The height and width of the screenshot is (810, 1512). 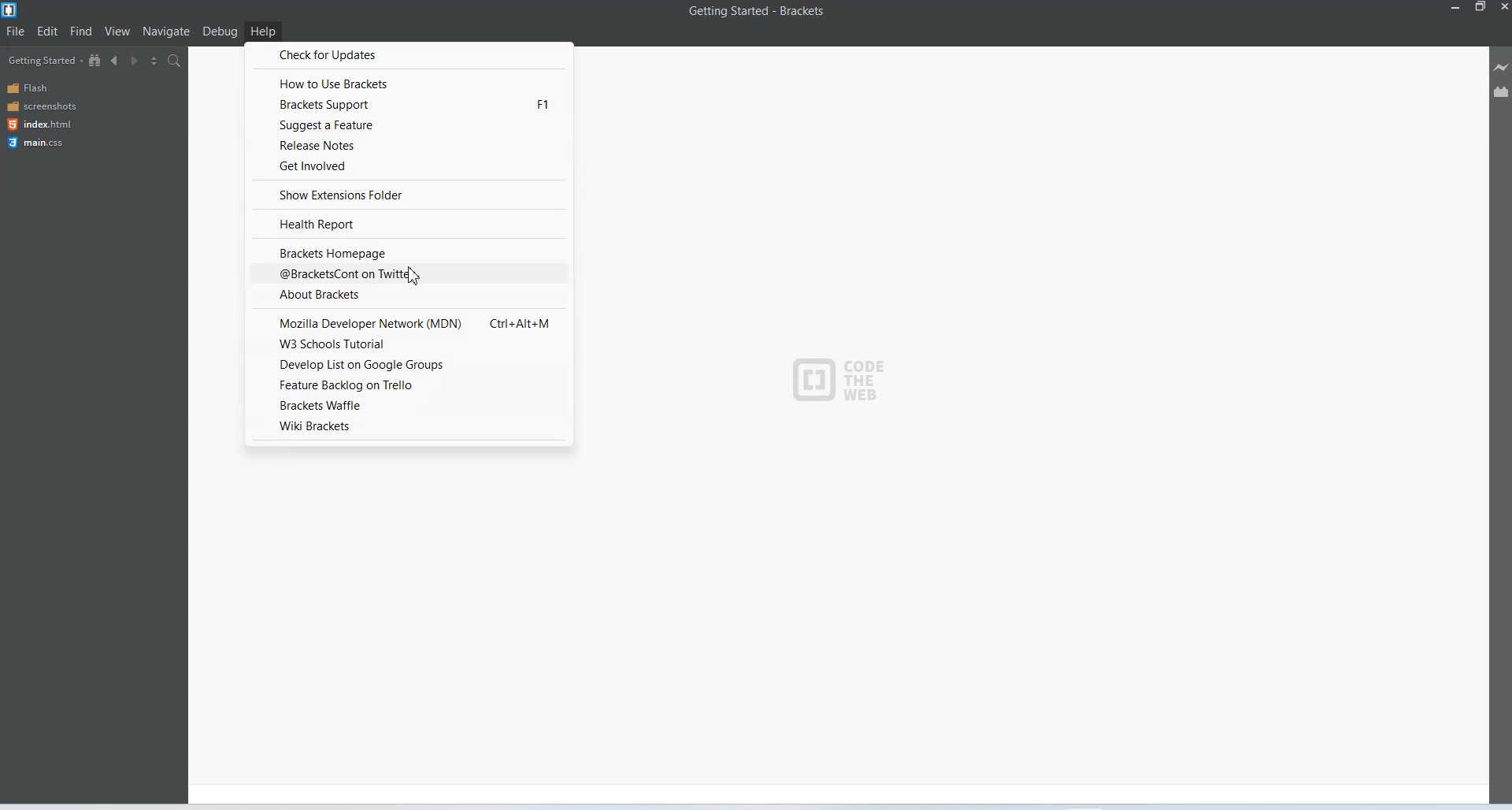 What do you see at coordinates (410, 194) in the screenshot?
I see `show extension folder` at bounding box center [410, 194].